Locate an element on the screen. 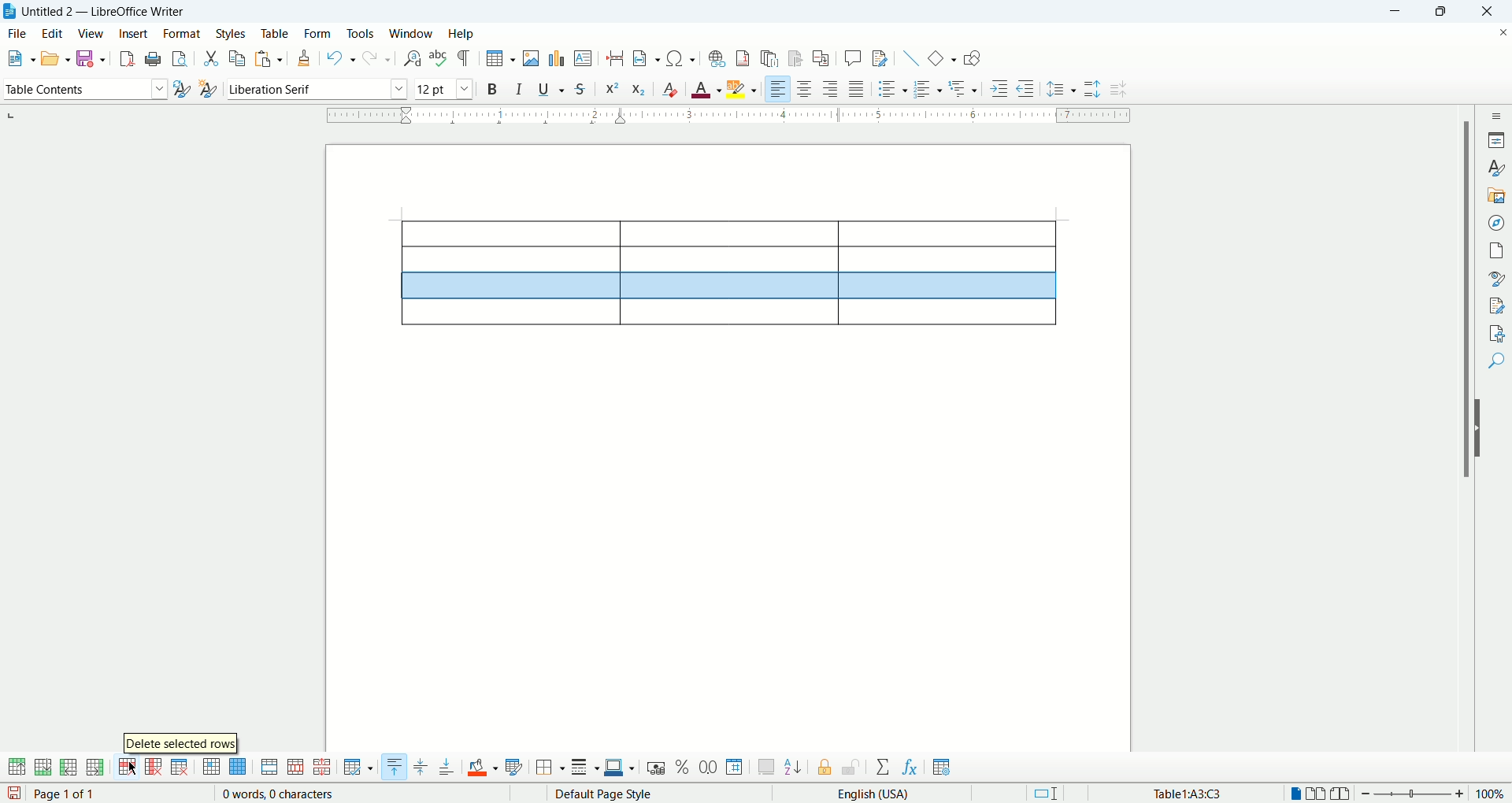 Image resolution: width=1512 pixels, height=803 pixels. add columns before is located at coordinates (69, 768).